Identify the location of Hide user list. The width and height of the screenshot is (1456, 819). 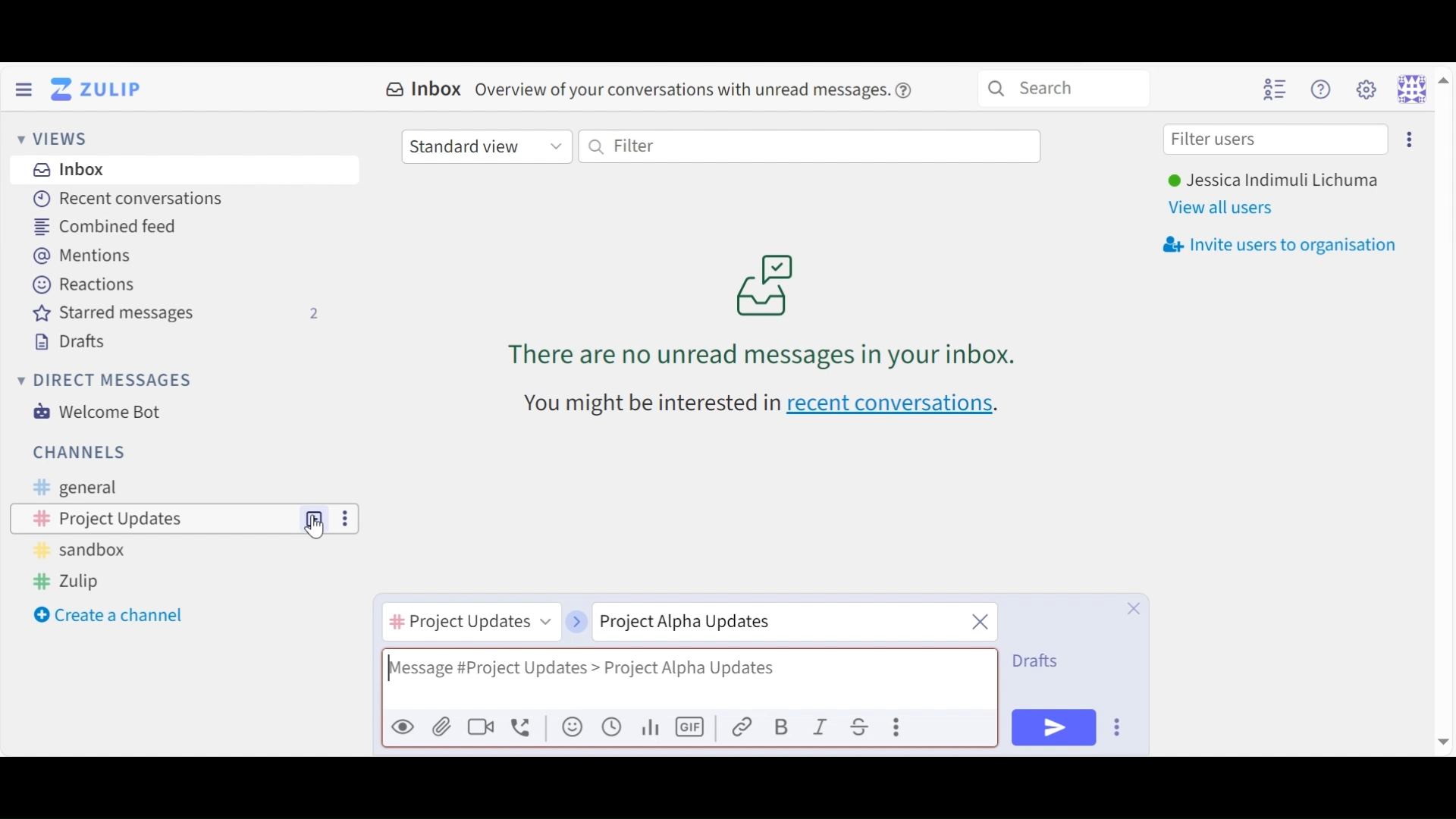
(1275, 89).